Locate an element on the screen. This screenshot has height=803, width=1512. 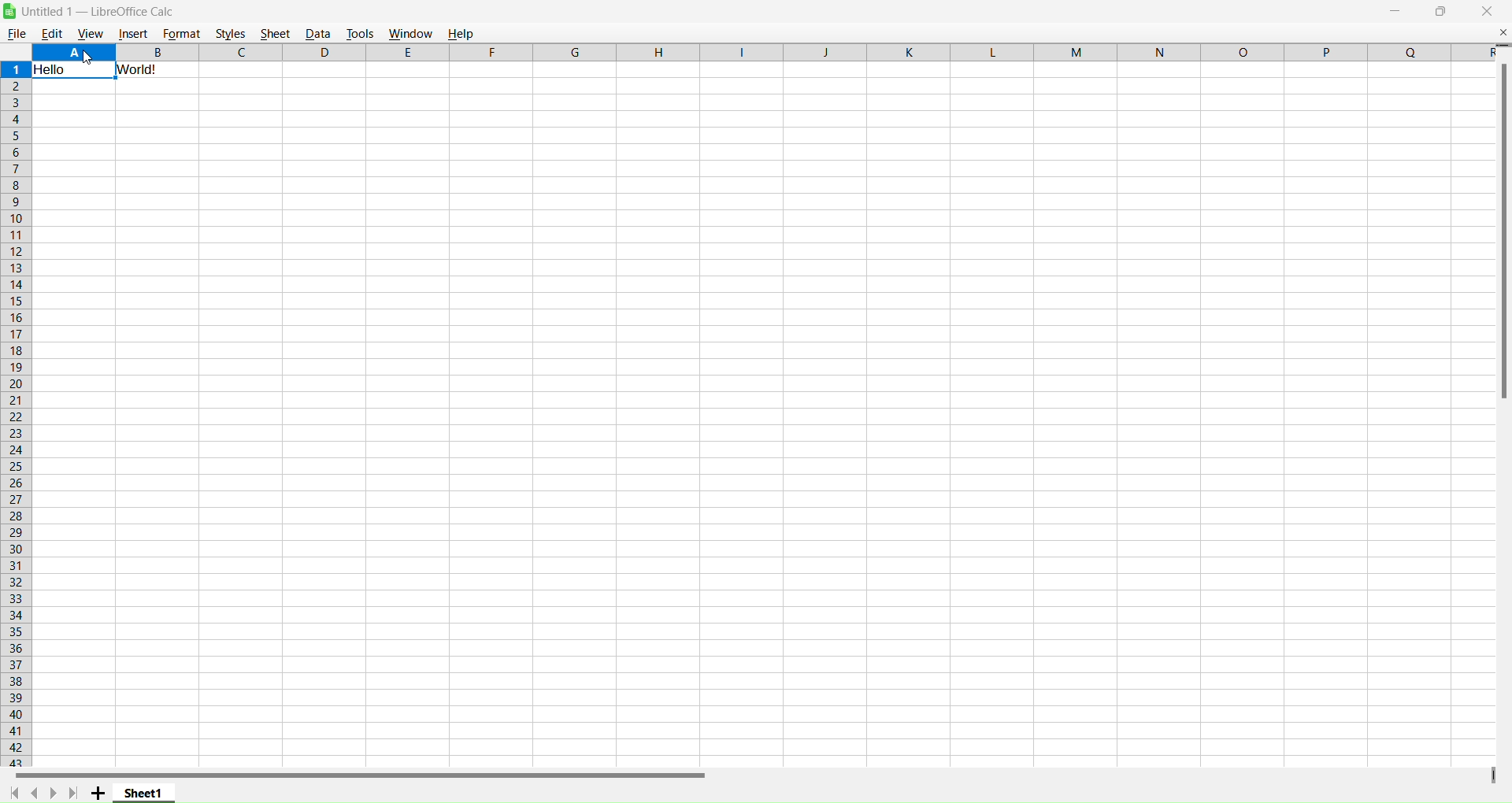
Next Slide is located at coordinates (53, 793).